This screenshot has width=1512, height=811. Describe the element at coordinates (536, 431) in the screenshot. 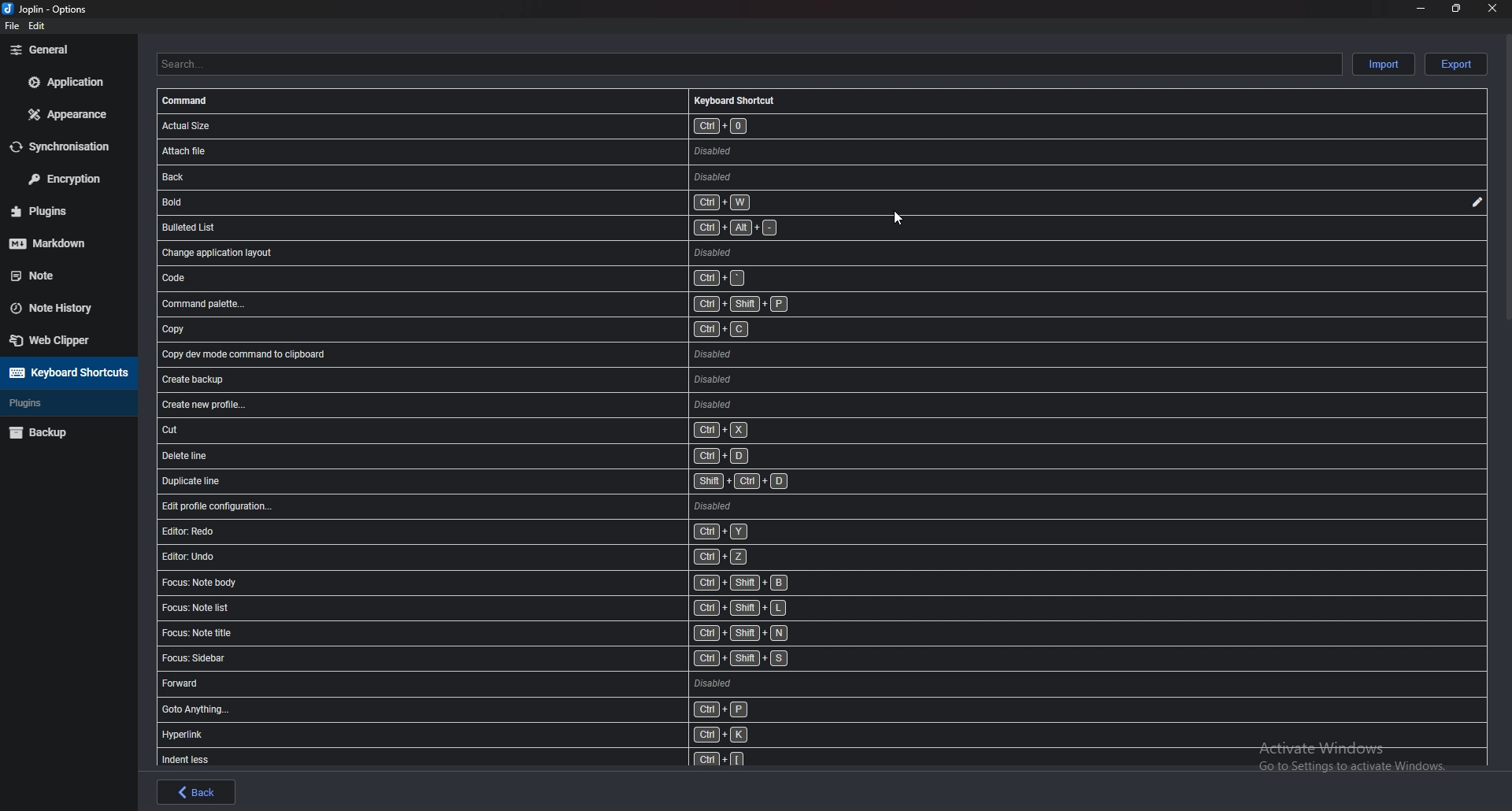

I see `shortcut` at that location.